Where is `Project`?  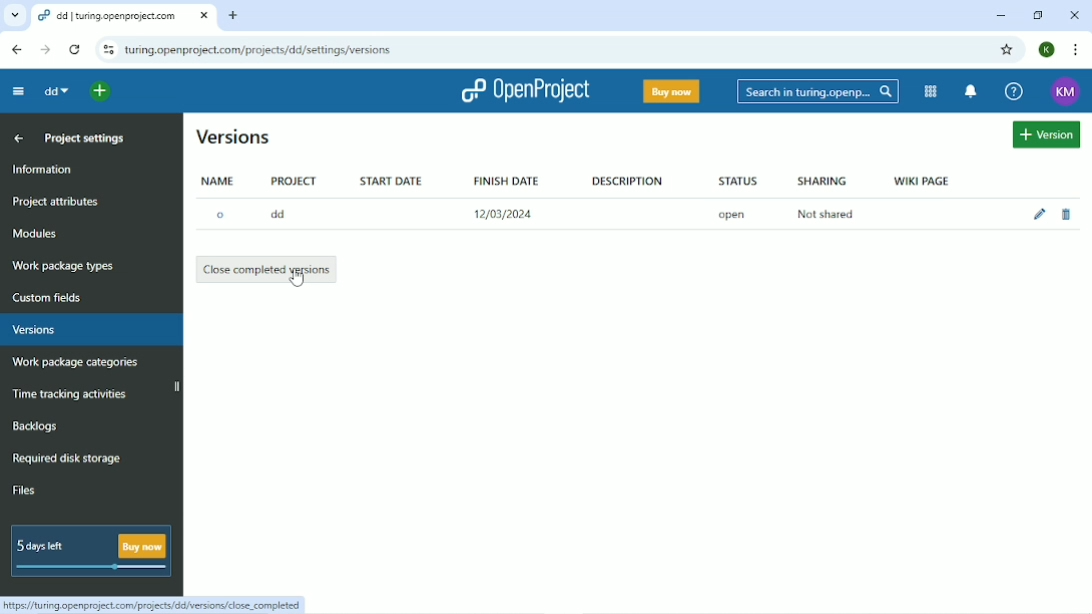 Project is located at coordinates (293, 179).